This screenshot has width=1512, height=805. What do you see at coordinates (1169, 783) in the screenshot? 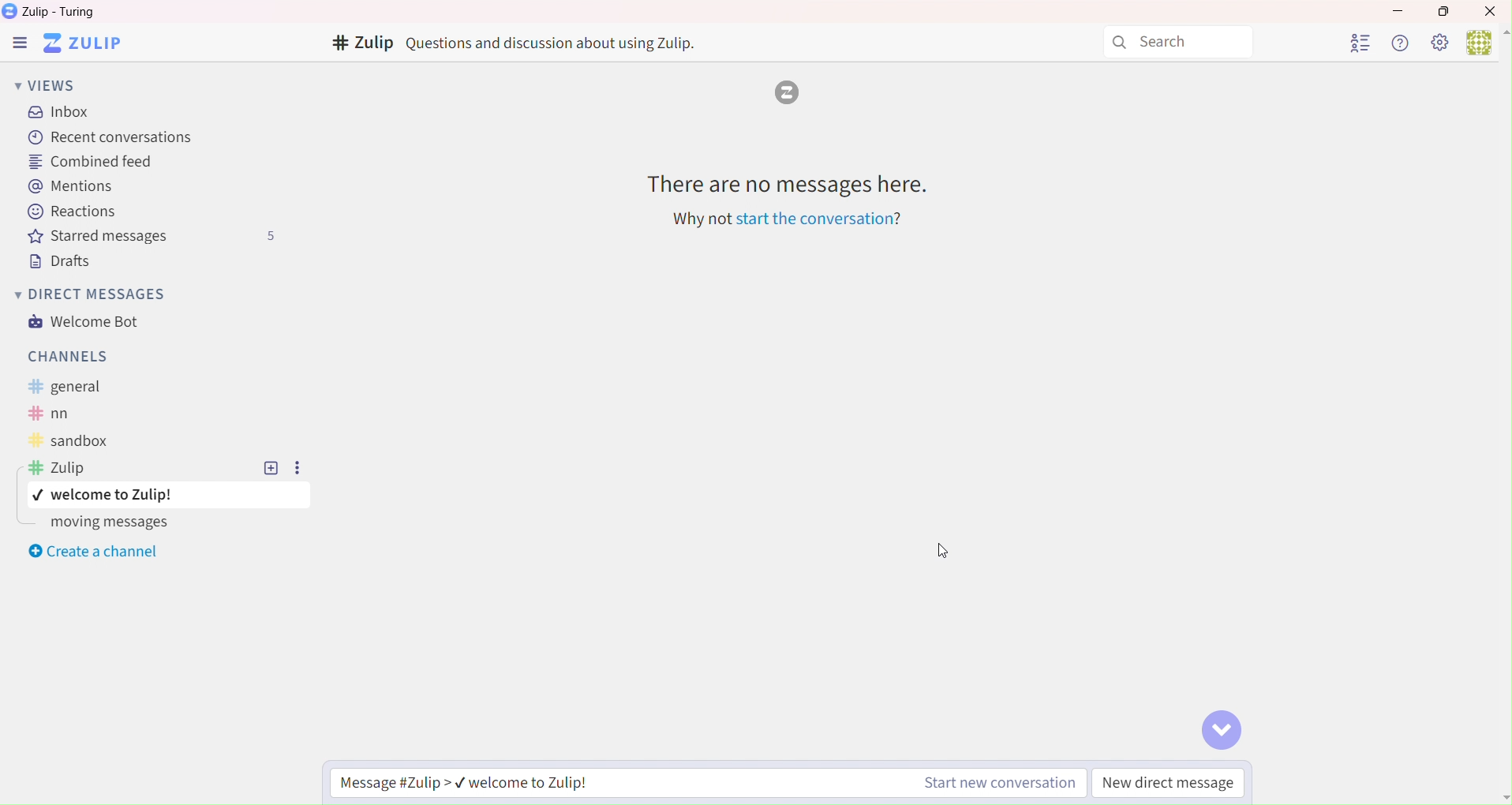
I see `New direct message` at bounding box center [1169, 783].